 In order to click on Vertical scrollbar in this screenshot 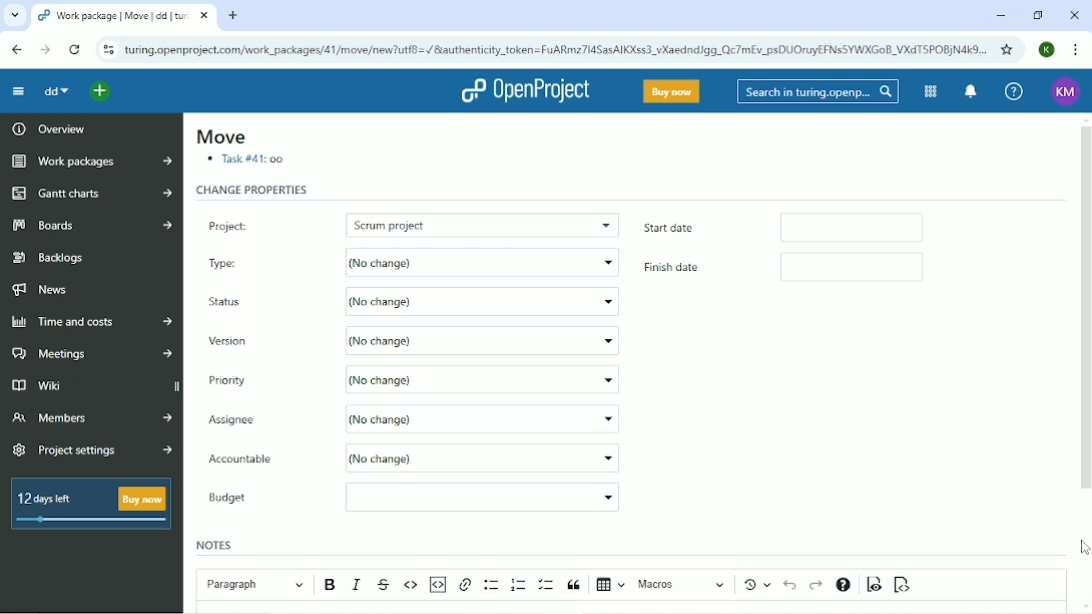, I will do `click(1083, 307)`.